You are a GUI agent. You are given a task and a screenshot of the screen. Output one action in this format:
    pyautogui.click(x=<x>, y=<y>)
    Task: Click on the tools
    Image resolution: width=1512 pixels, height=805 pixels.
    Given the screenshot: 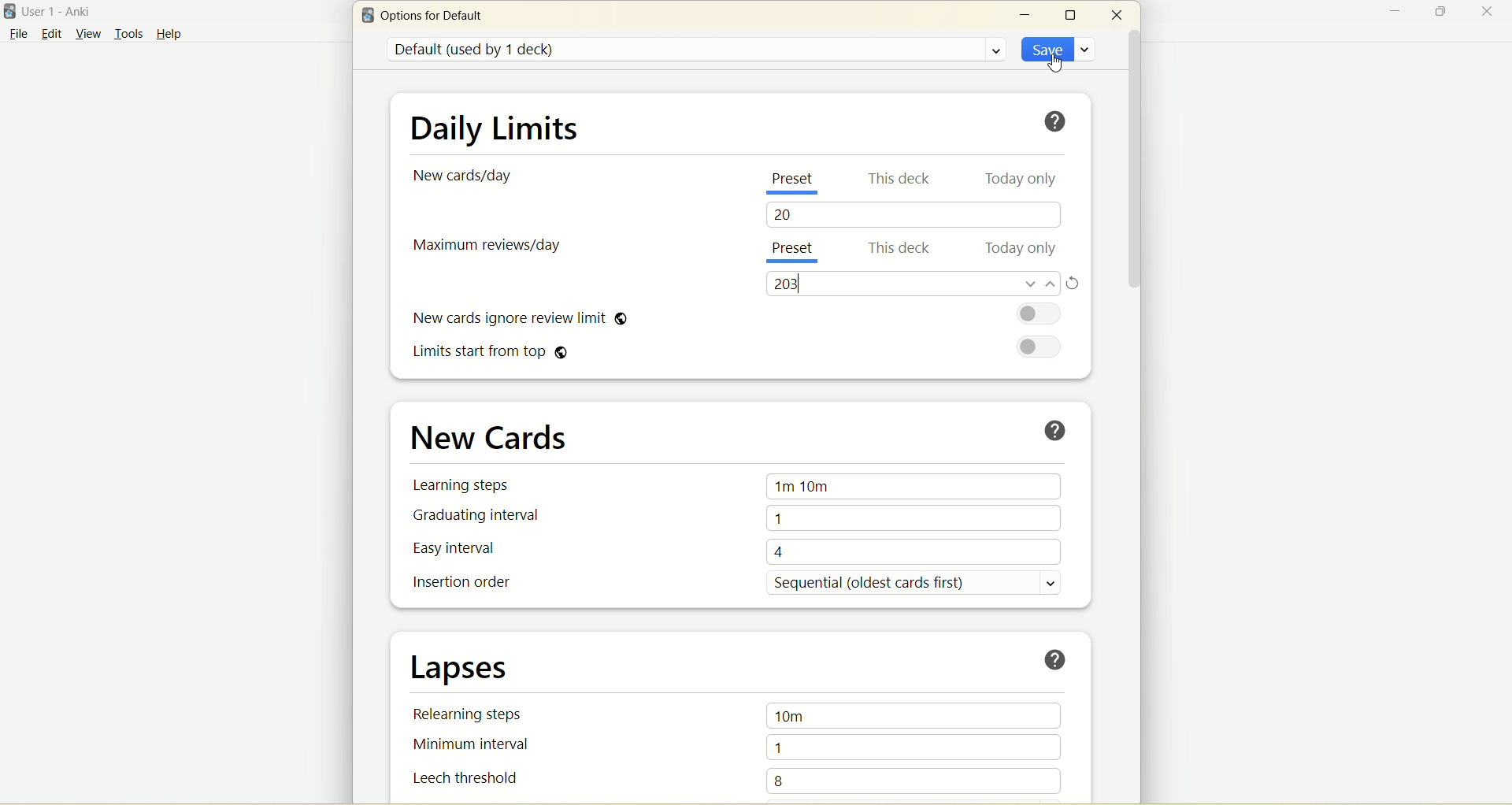 What is the action you would take?
    pyautogui.click(x=128, y=35)
    